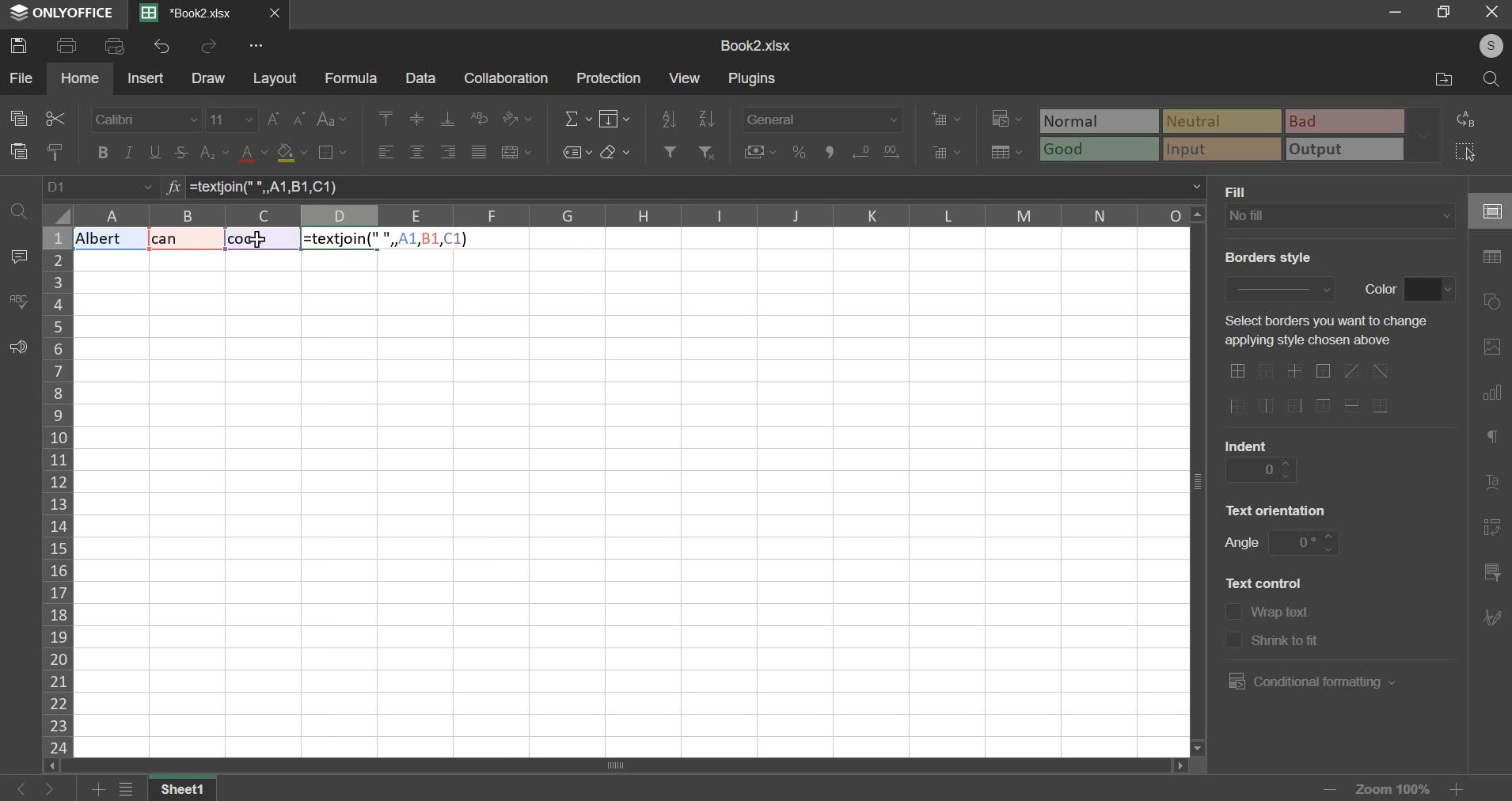 The width and height of the screenshot is (1512, 801). Describe the element at coordinates (1241, 545) in the screenshot. I see `text` at that location.